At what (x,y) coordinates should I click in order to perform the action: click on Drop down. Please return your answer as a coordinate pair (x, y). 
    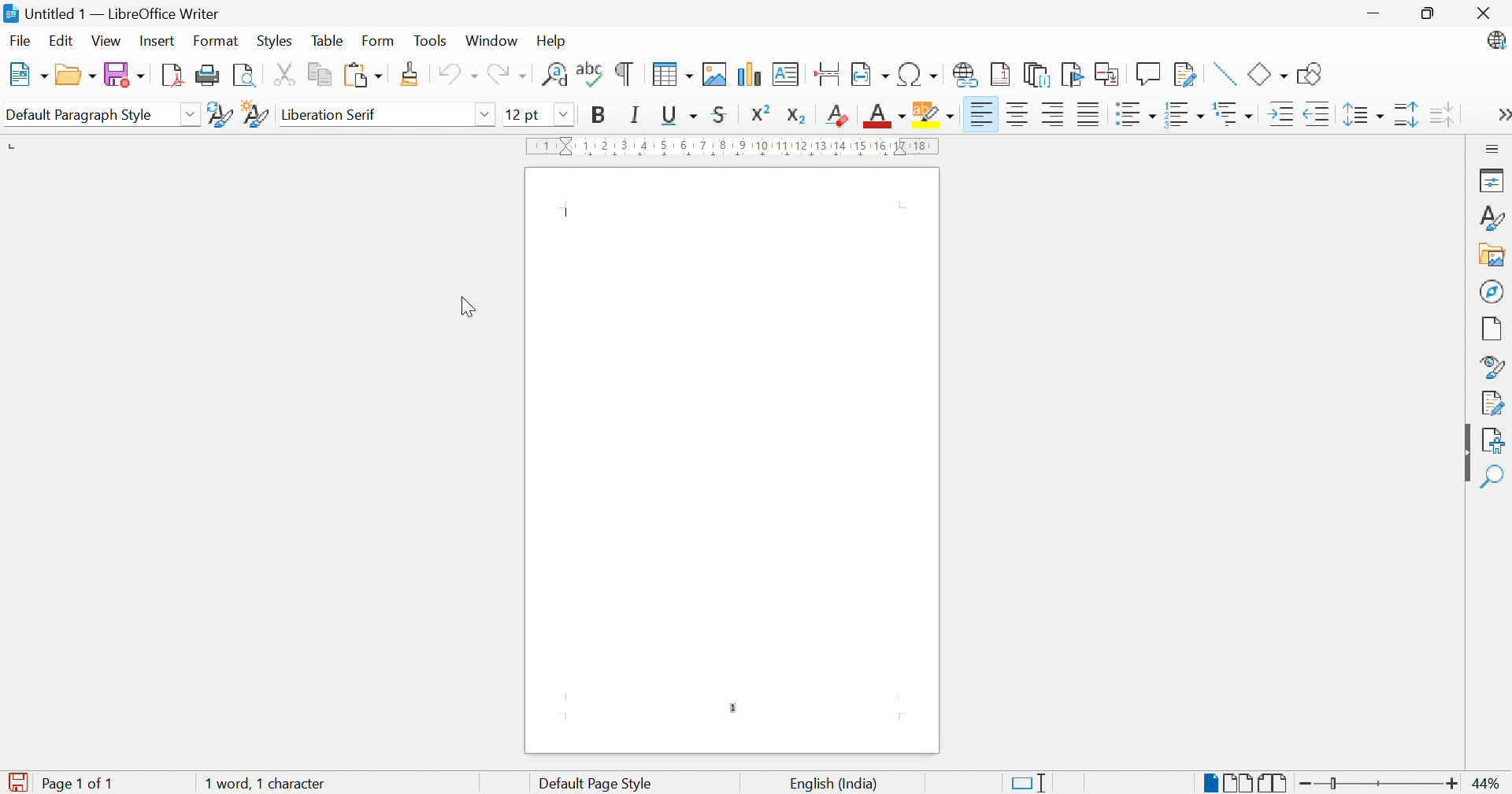
    Looking at the image, I should click on (194, 115).